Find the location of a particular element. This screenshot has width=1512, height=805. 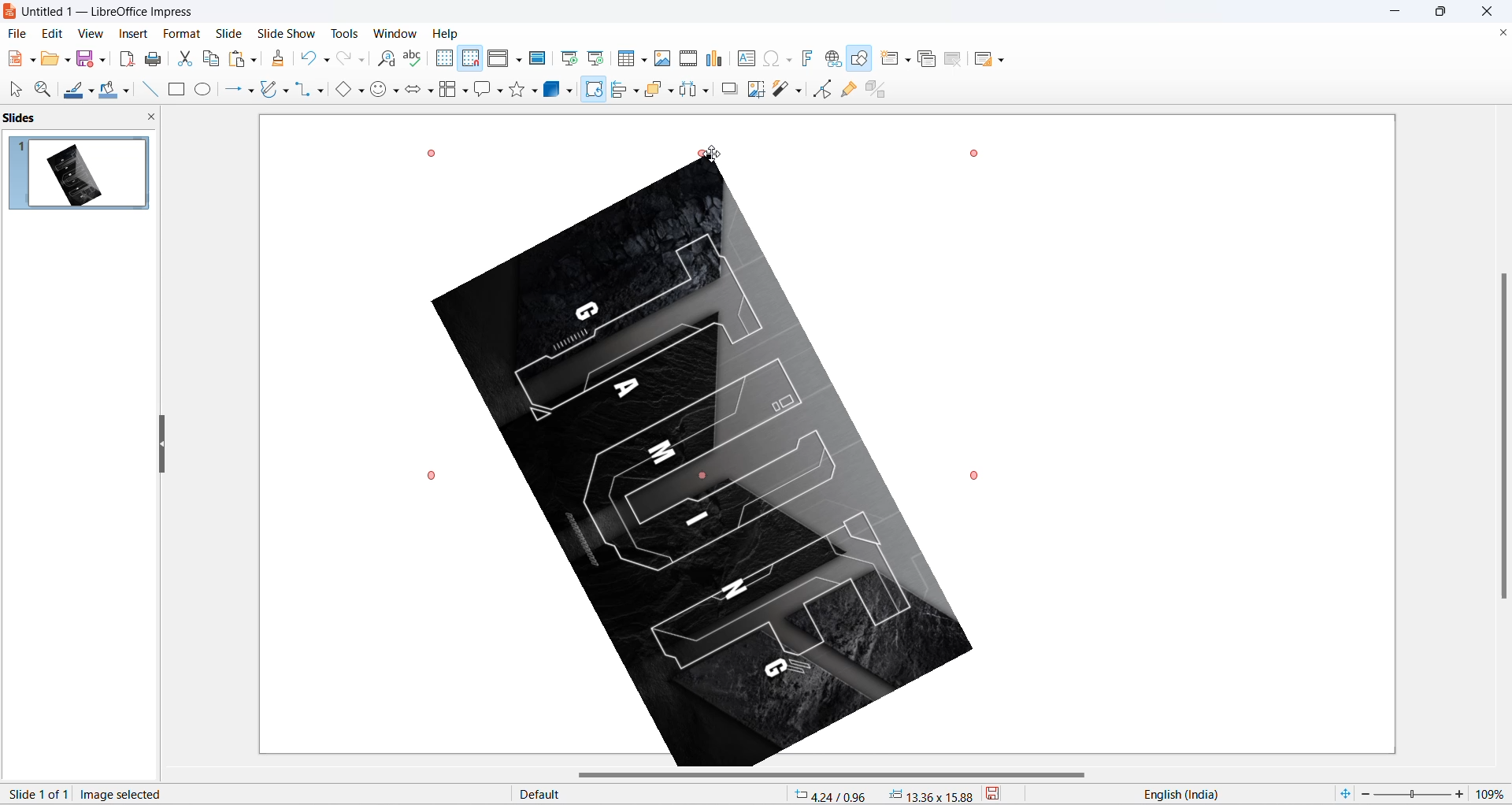

delete slide is located at coordinates (954, 61).